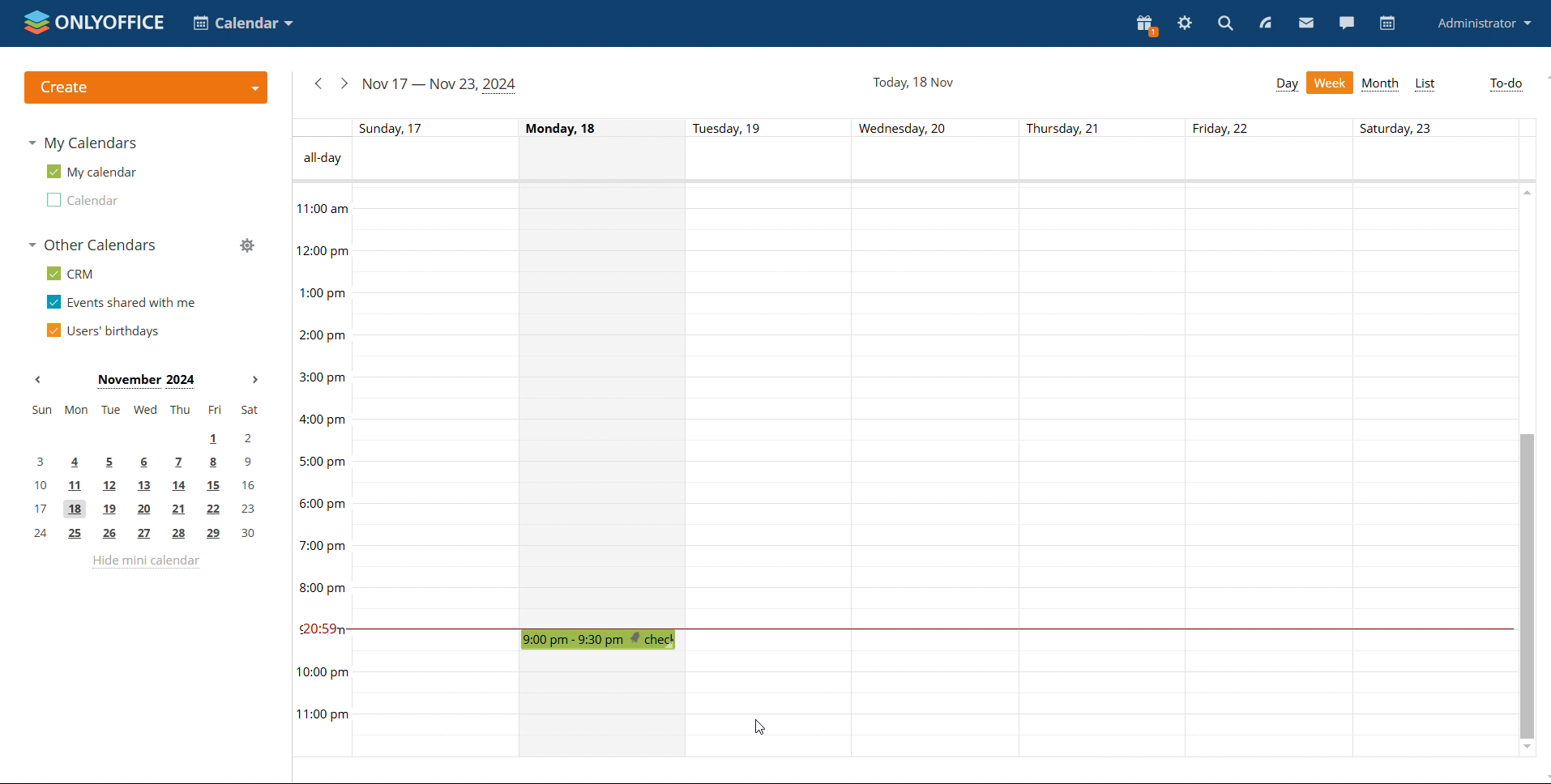 This screenshot has width=1551, height=784. What do you see at coordinates (82, 143) in the screenshot?
I see `my calendars` at bounding box center [82, 143].